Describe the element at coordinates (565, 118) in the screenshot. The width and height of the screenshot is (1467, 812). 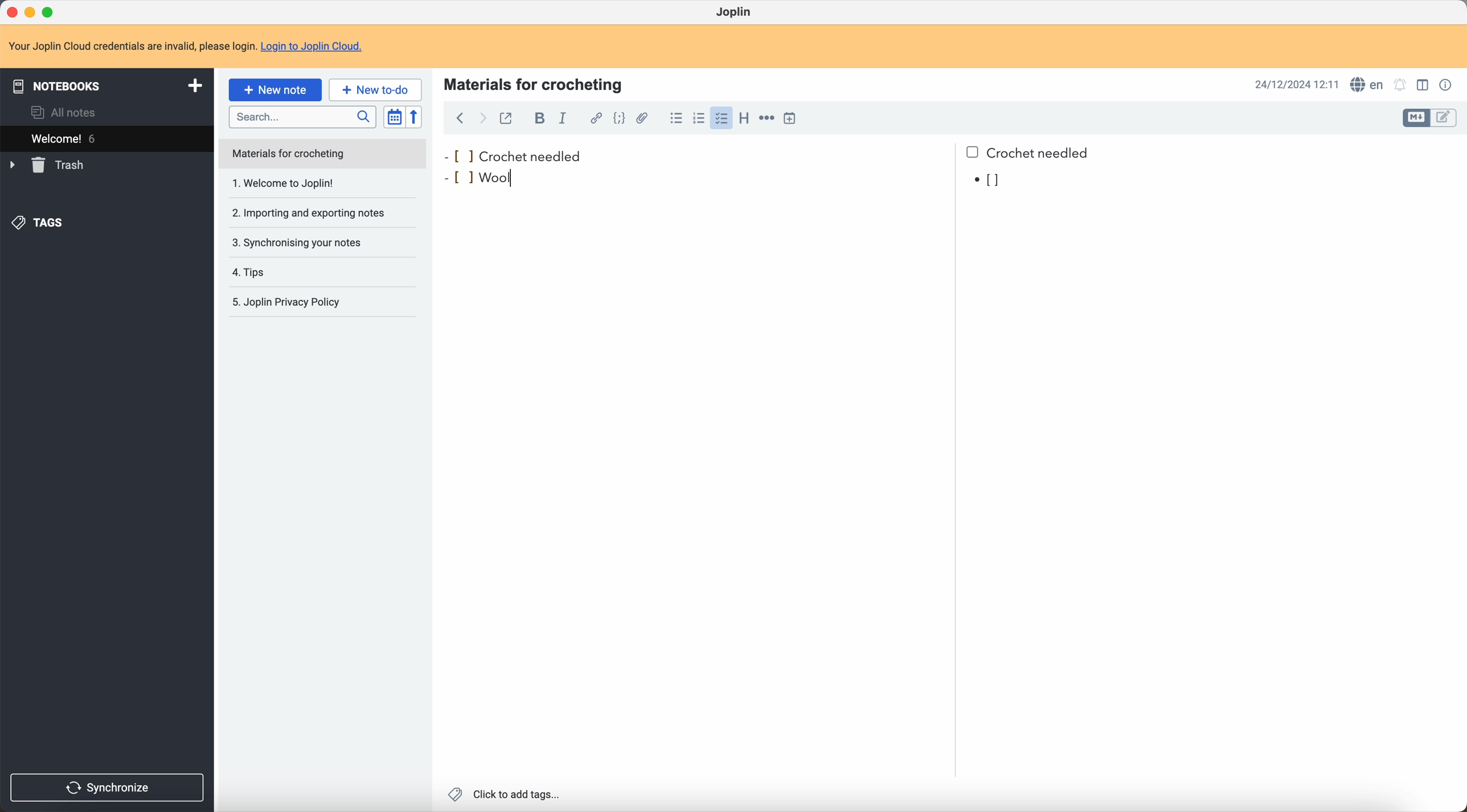
I see `italic` at that location.